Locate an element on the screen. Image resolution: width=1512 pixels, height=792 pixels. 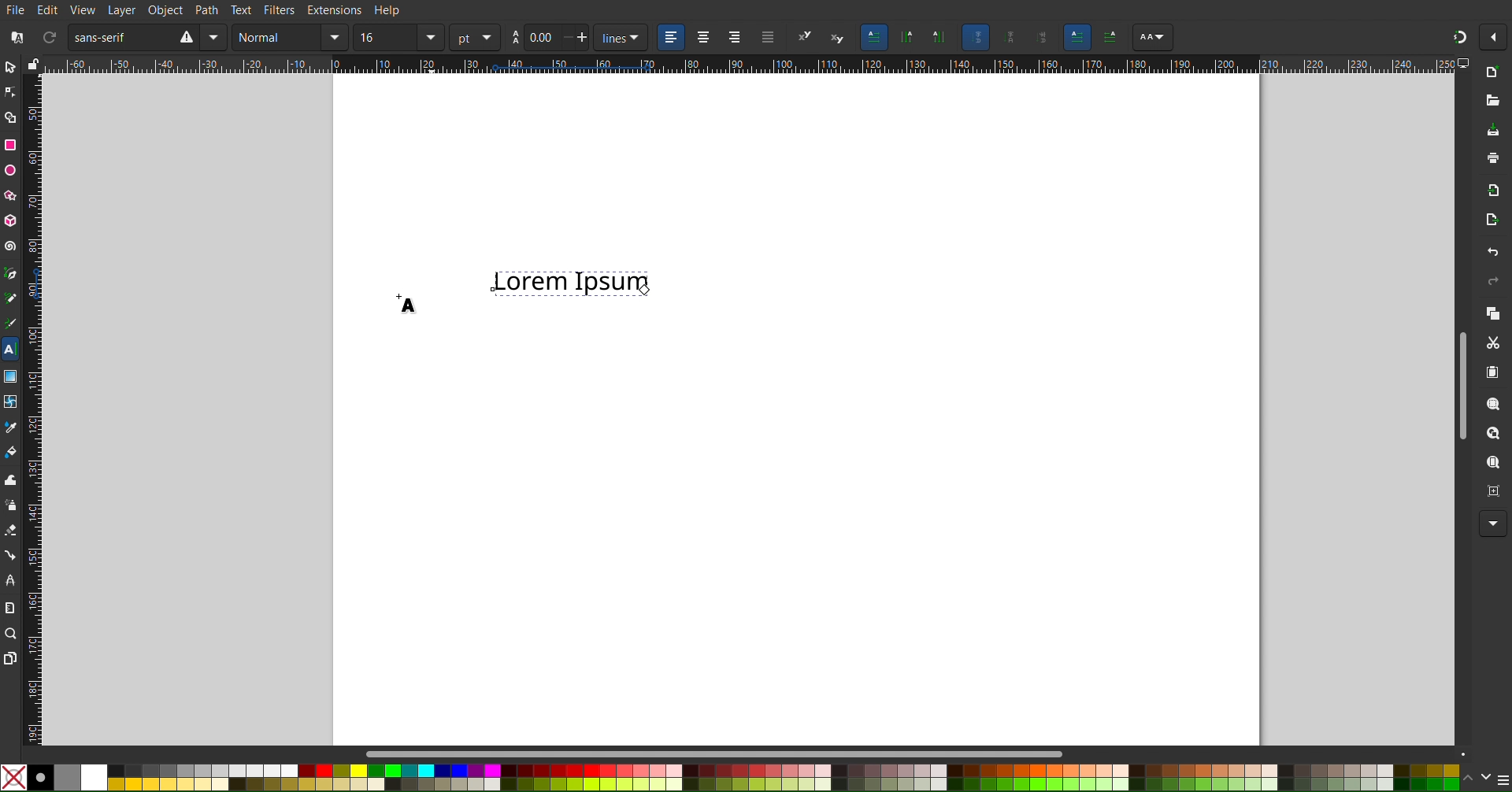
aa is located at coordinates (513, 38).